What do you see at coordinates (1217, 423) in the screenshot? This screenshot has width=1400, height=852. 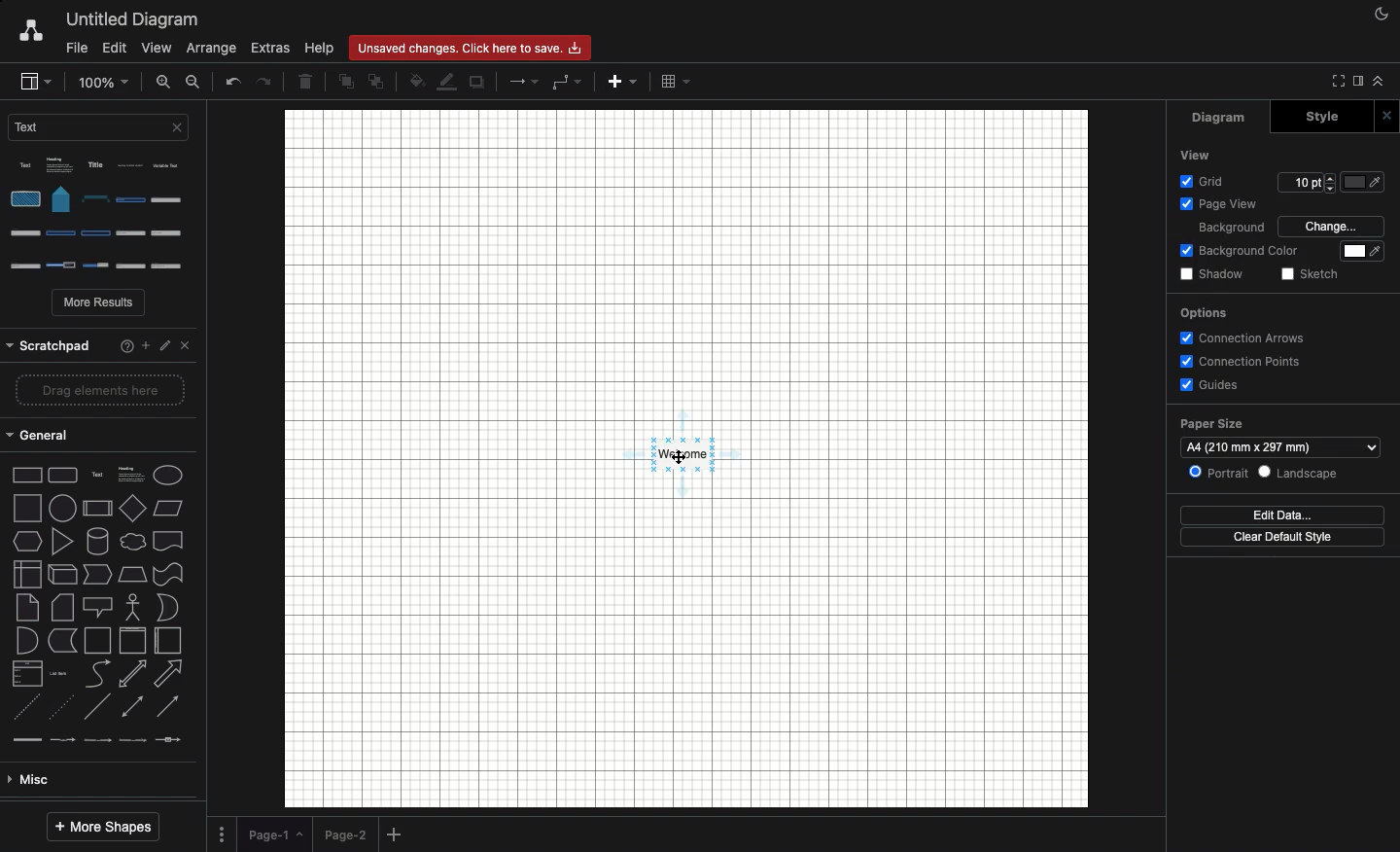 I see `paper size` at bounding box center [1217, 423].